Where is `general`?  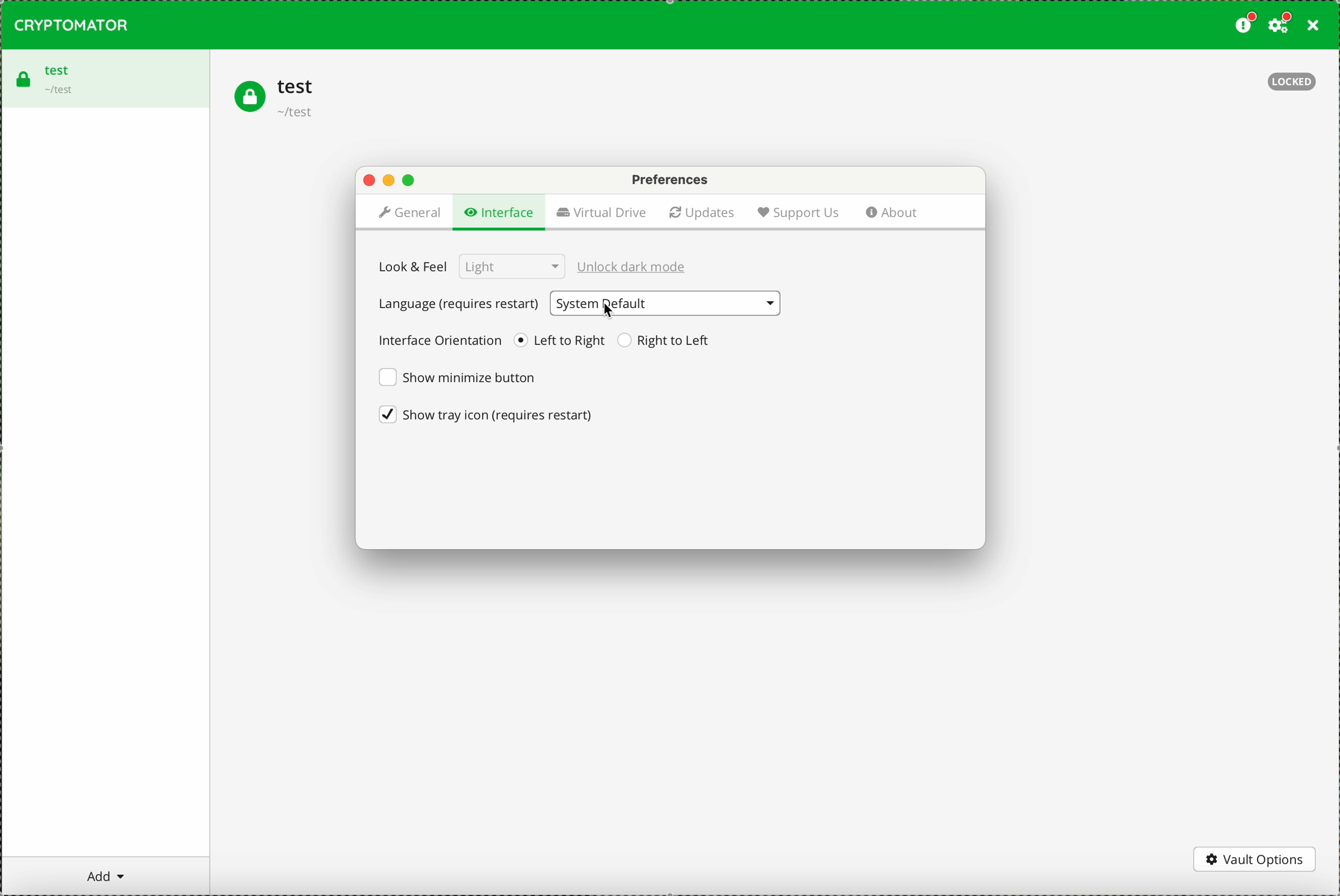
general is located at coordinates (412, 213).